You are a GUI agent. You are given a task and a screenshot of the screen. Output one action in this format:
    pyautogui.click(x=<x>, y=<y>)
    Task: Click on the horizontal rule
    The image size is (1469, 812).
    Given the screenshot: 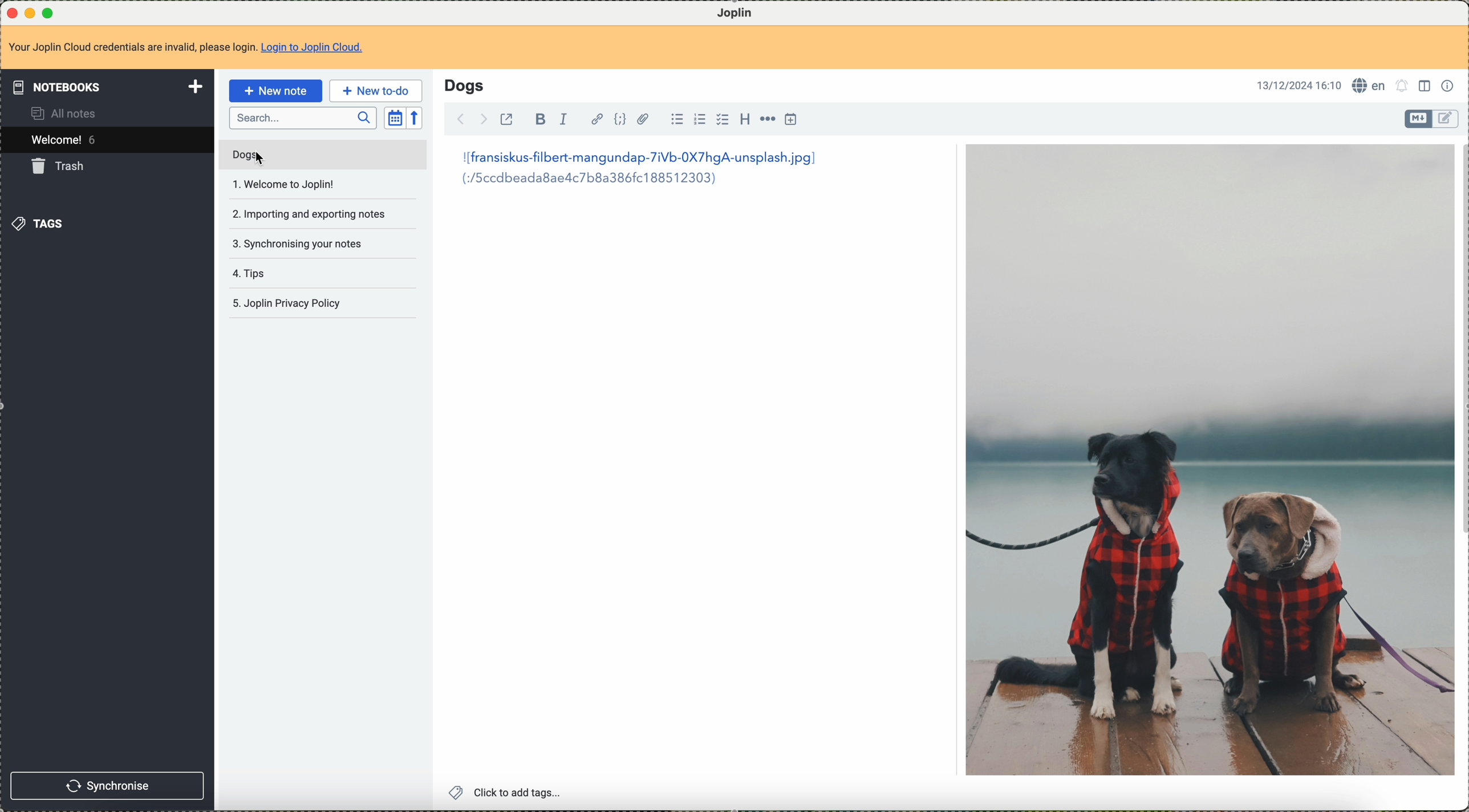 What is the action you would take?
    pyautogui.click(x=768, y=120)
    